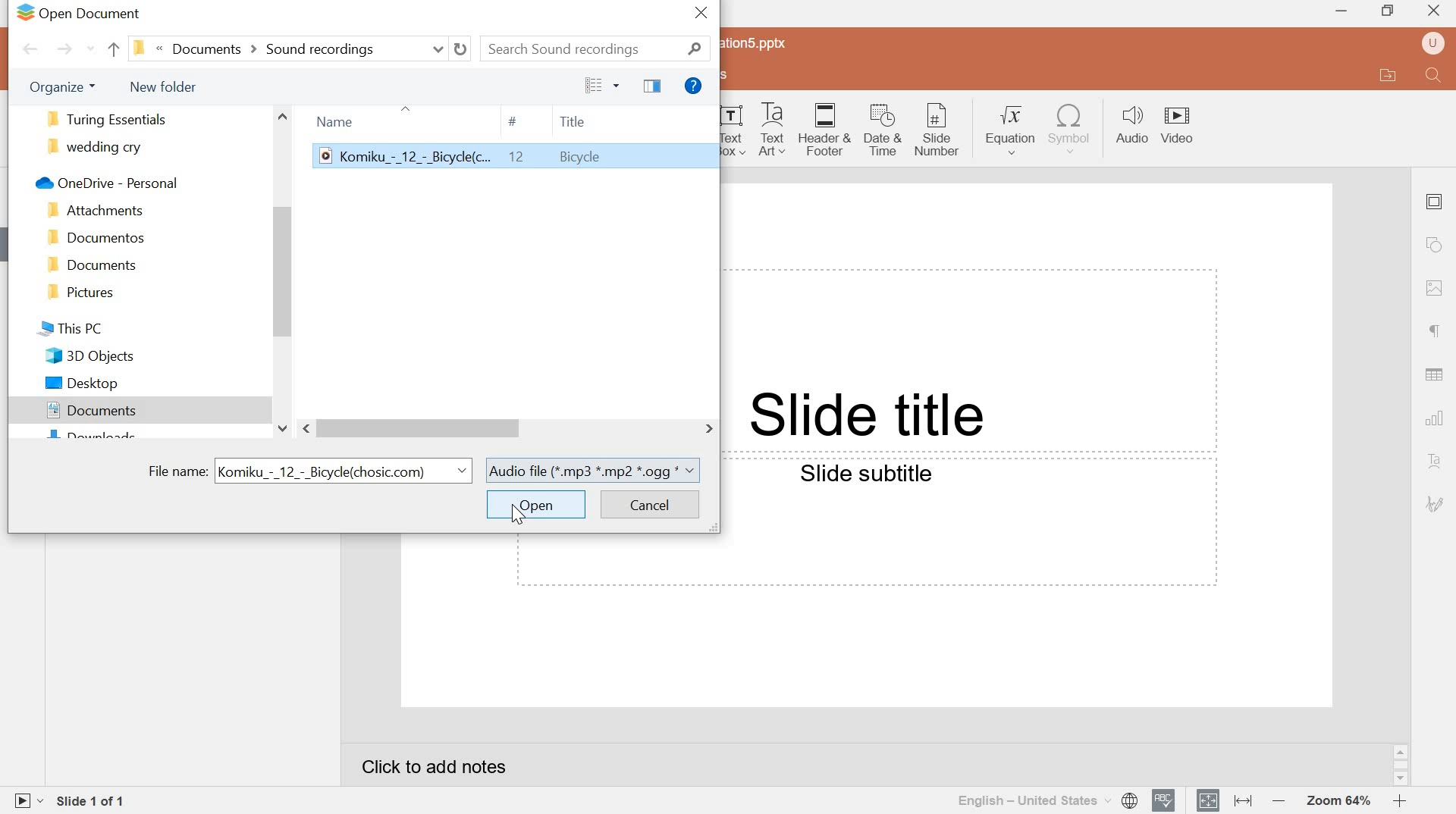 Image resolution: width=1456 pixels, height=814 pixels. I want to click on this pc, so click(71, 330).